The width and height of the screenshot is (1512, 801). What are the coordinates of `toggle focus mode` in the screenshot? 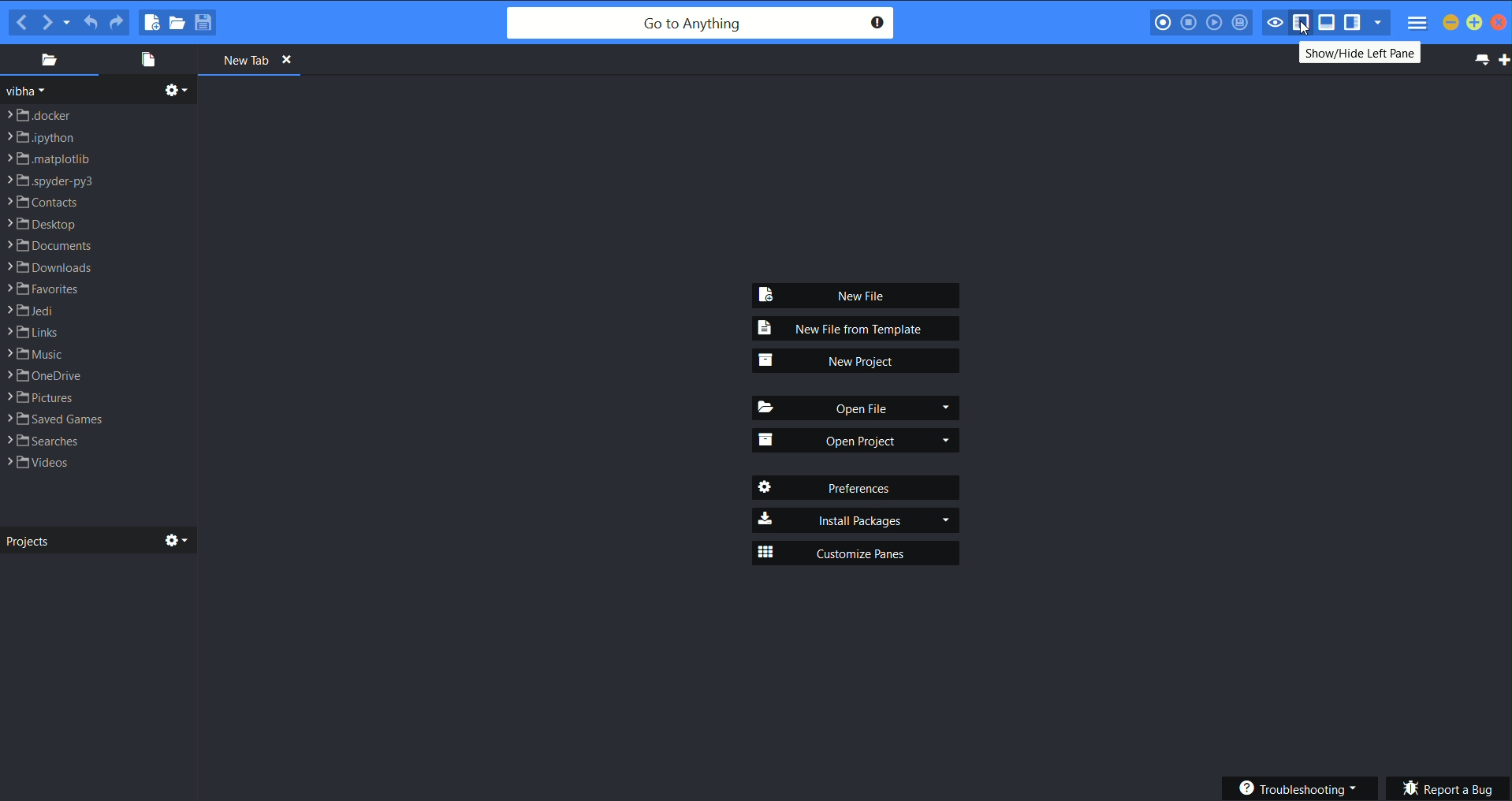 It's located at (1275, 22).